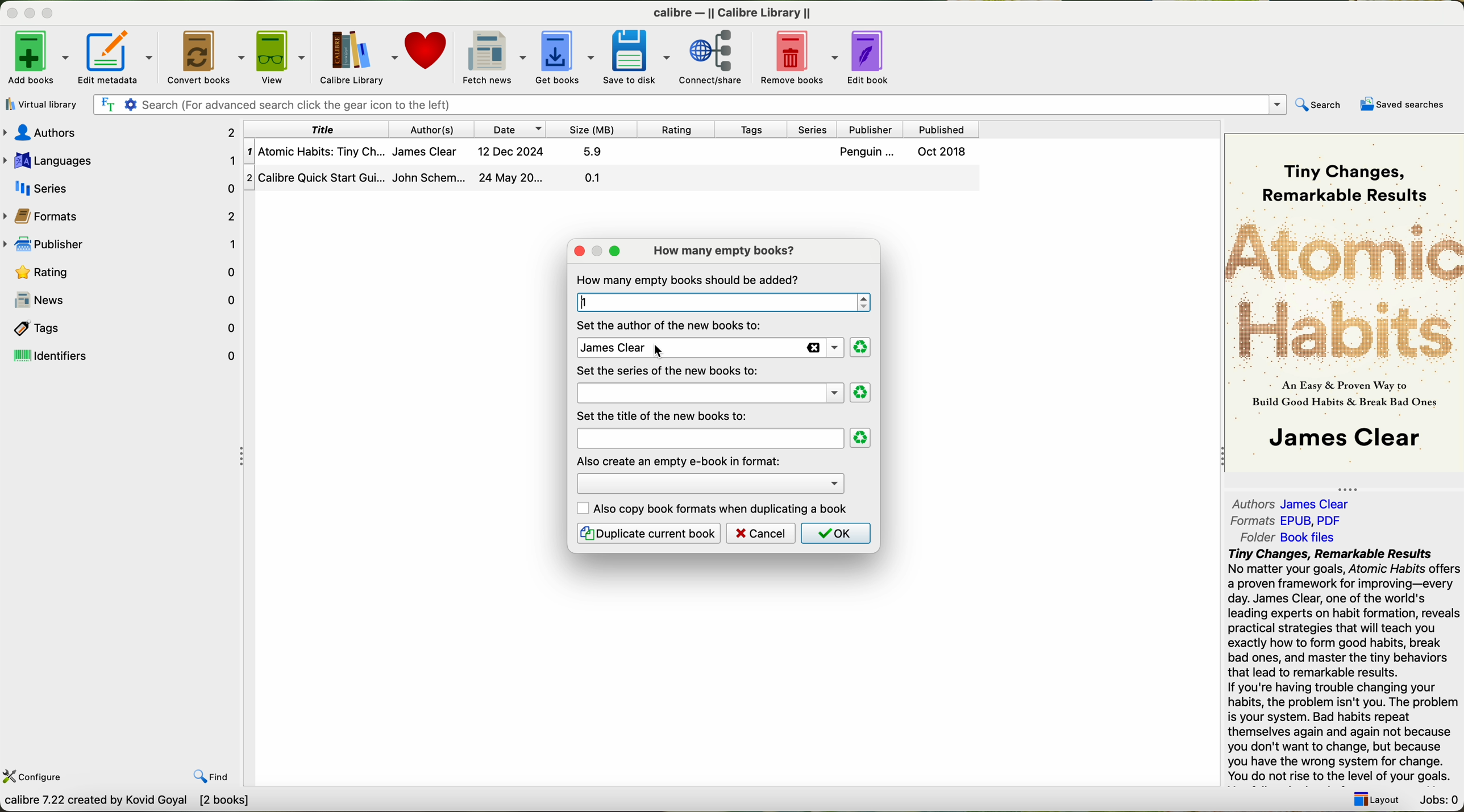 This screenshot has height=812, width=1464. I want to click on news, so click(121, 300).